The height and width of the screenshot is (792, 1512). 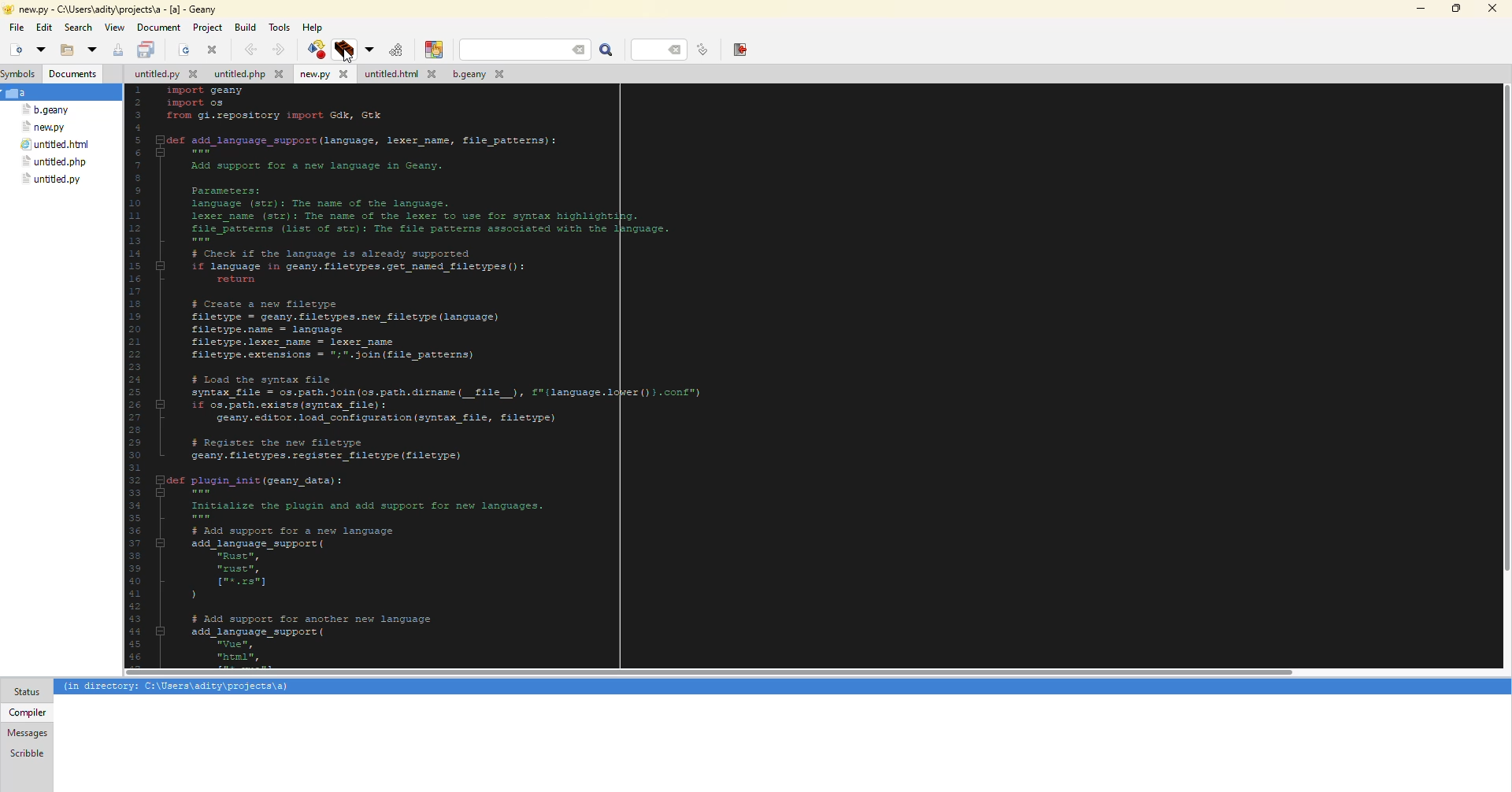 I want to click on file, so click(x=14, y=27).